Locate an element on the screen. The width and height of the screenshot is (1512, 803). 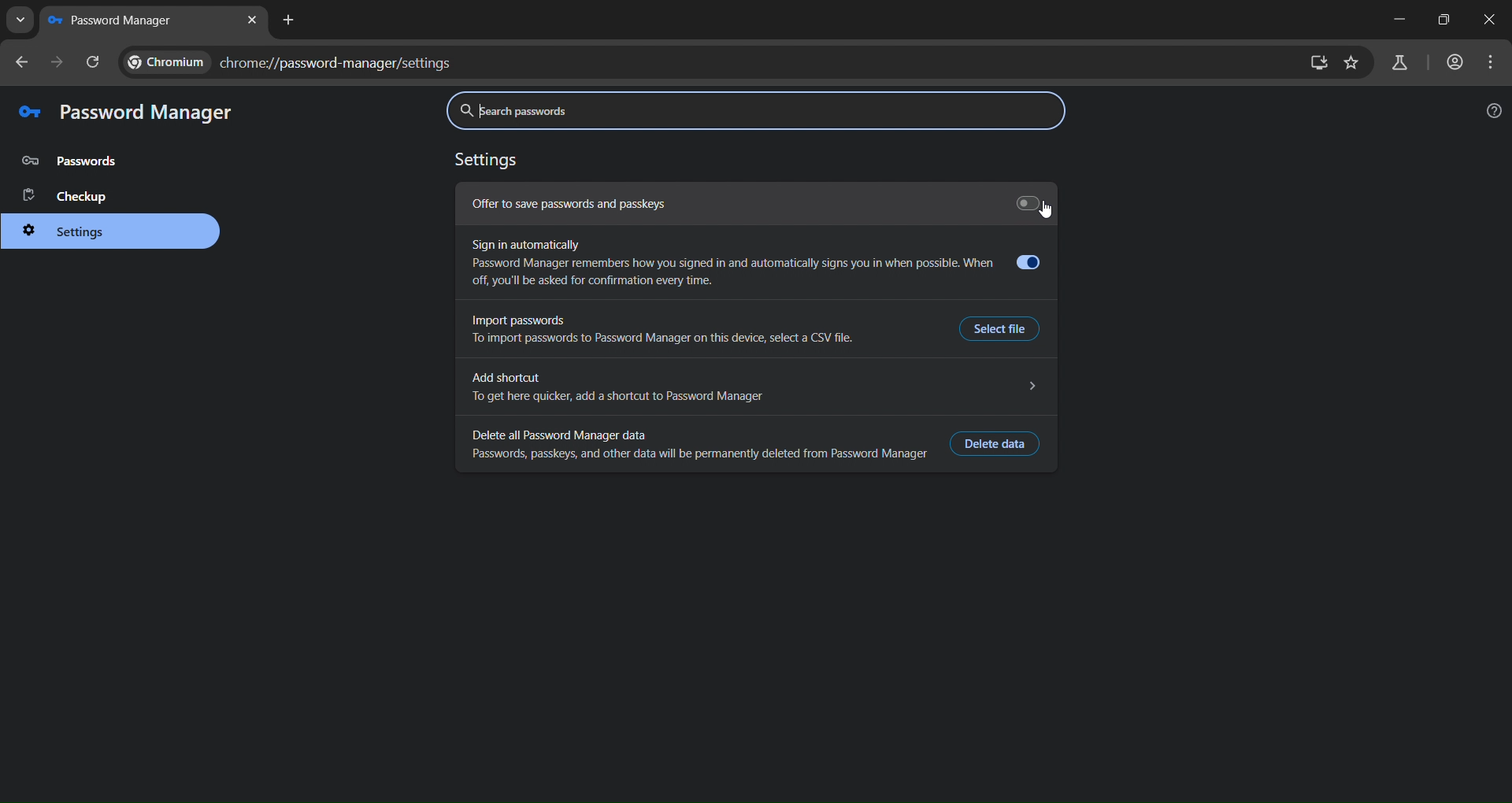
settings is located at coordinates (103, 231).